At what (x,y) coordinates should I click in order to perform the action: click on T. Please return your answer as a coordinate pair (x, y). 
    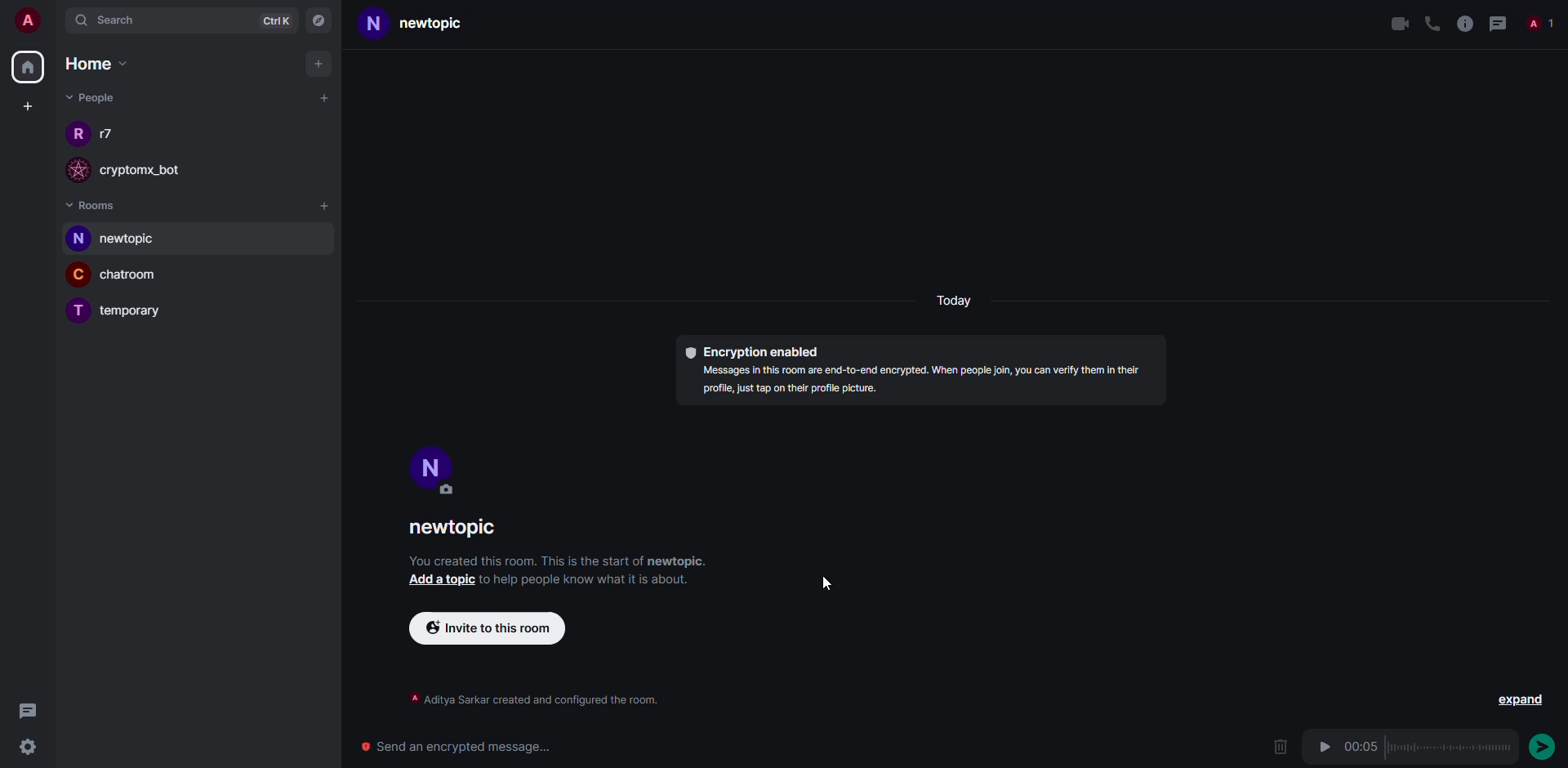
    Looking at the image, I should click on (76, 310).